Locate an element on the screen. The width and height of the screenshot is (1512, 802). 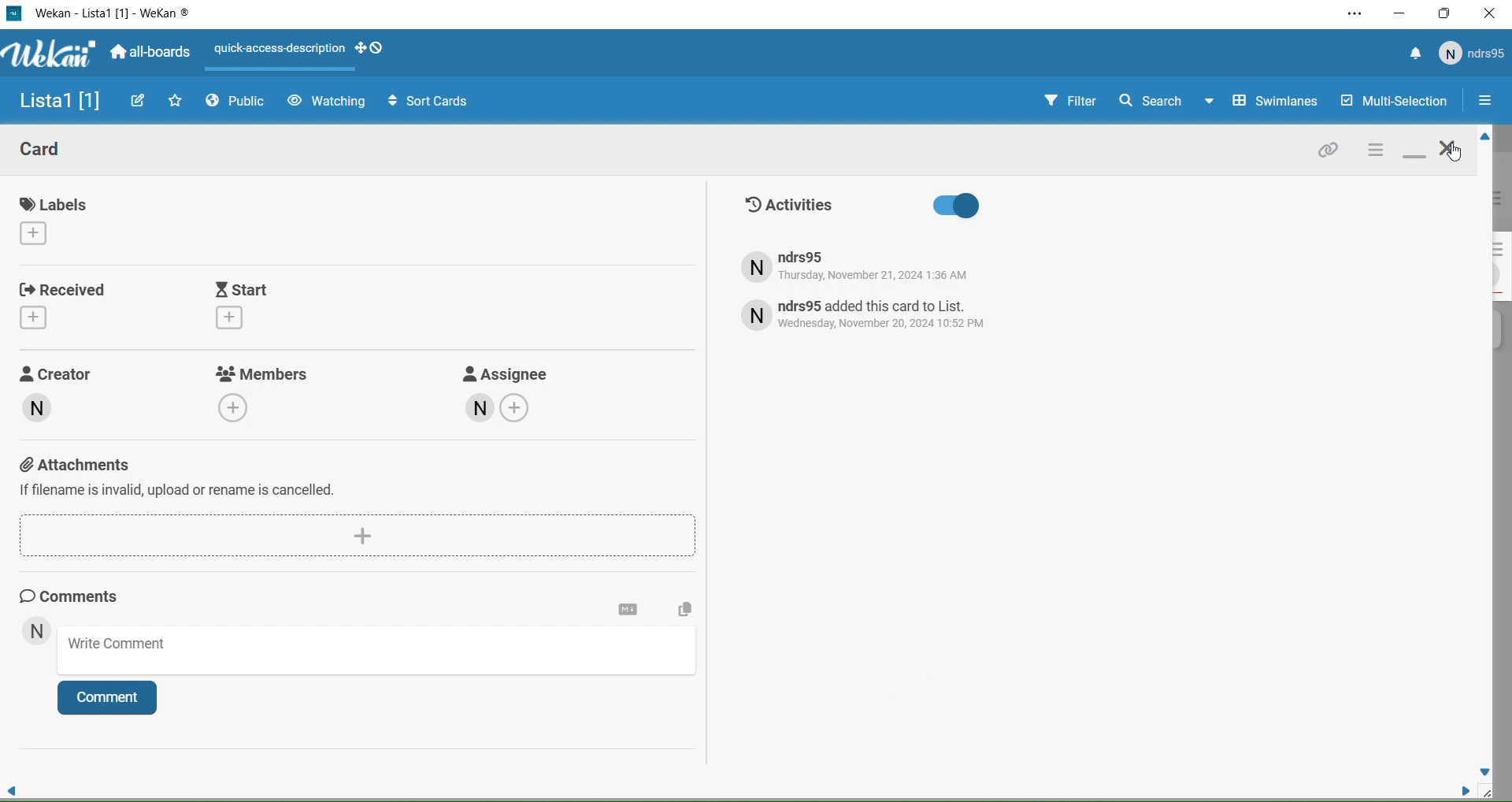
Minimize is located at coordinates (1400, 13).